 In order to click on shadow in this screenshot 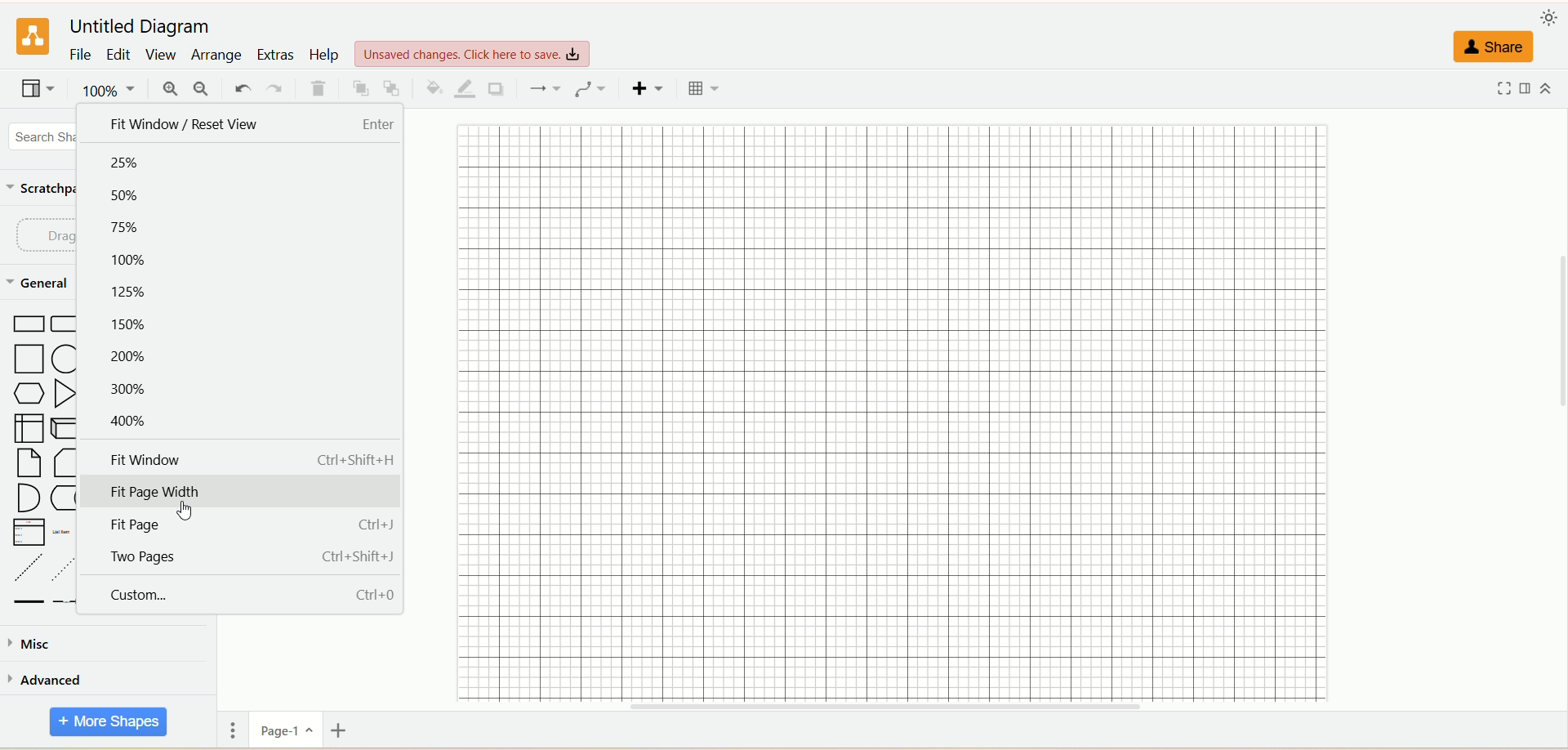, I will do `click(497, 88)`.